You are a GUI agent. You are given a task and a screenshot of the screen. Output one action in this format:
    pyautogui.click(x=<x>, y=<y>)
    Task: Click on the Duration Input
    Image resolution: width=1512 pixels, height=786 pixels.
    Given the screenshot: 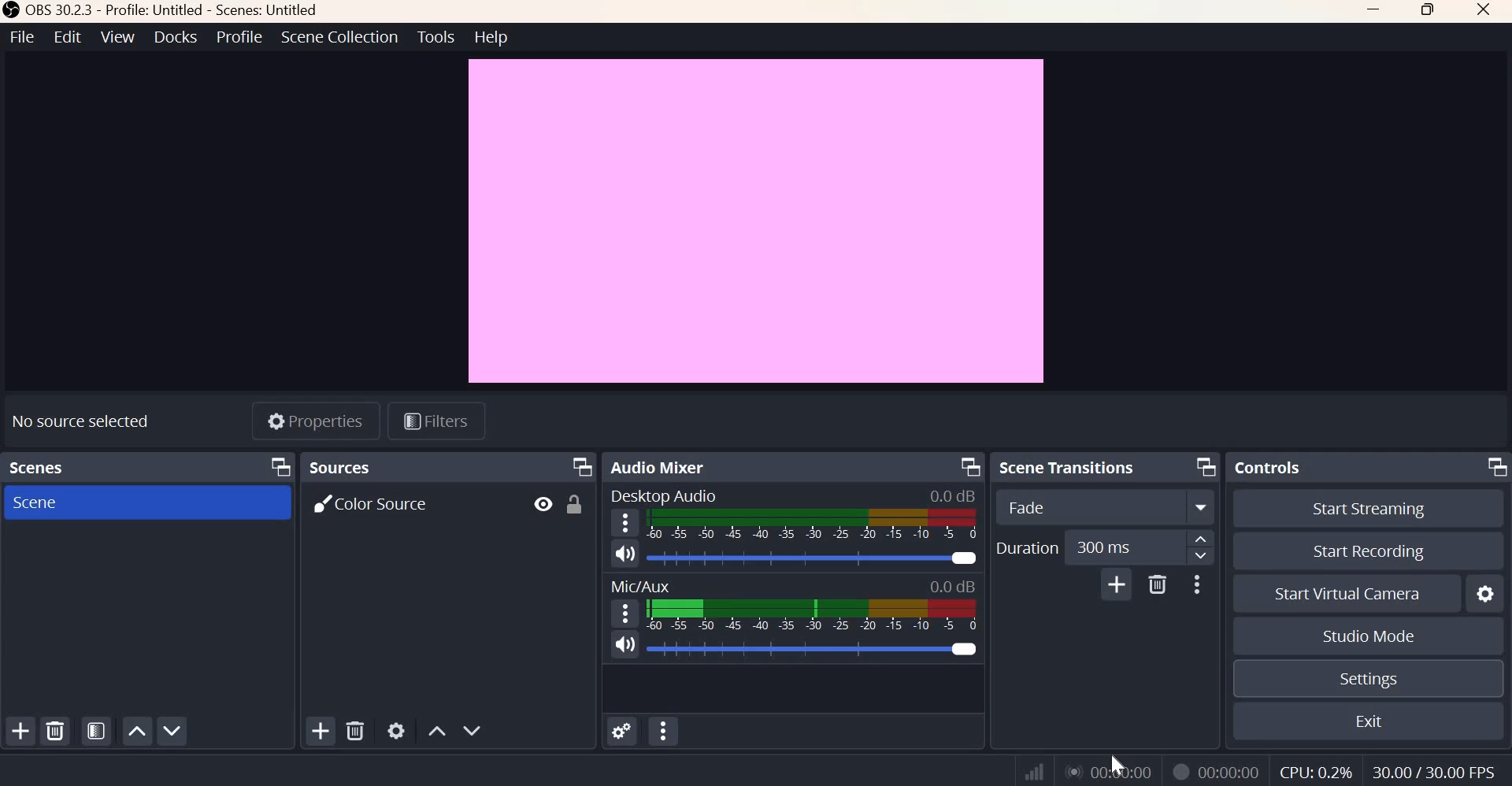 What is the action you would take?
    pyautogui.click(x=1136, y=547)
    